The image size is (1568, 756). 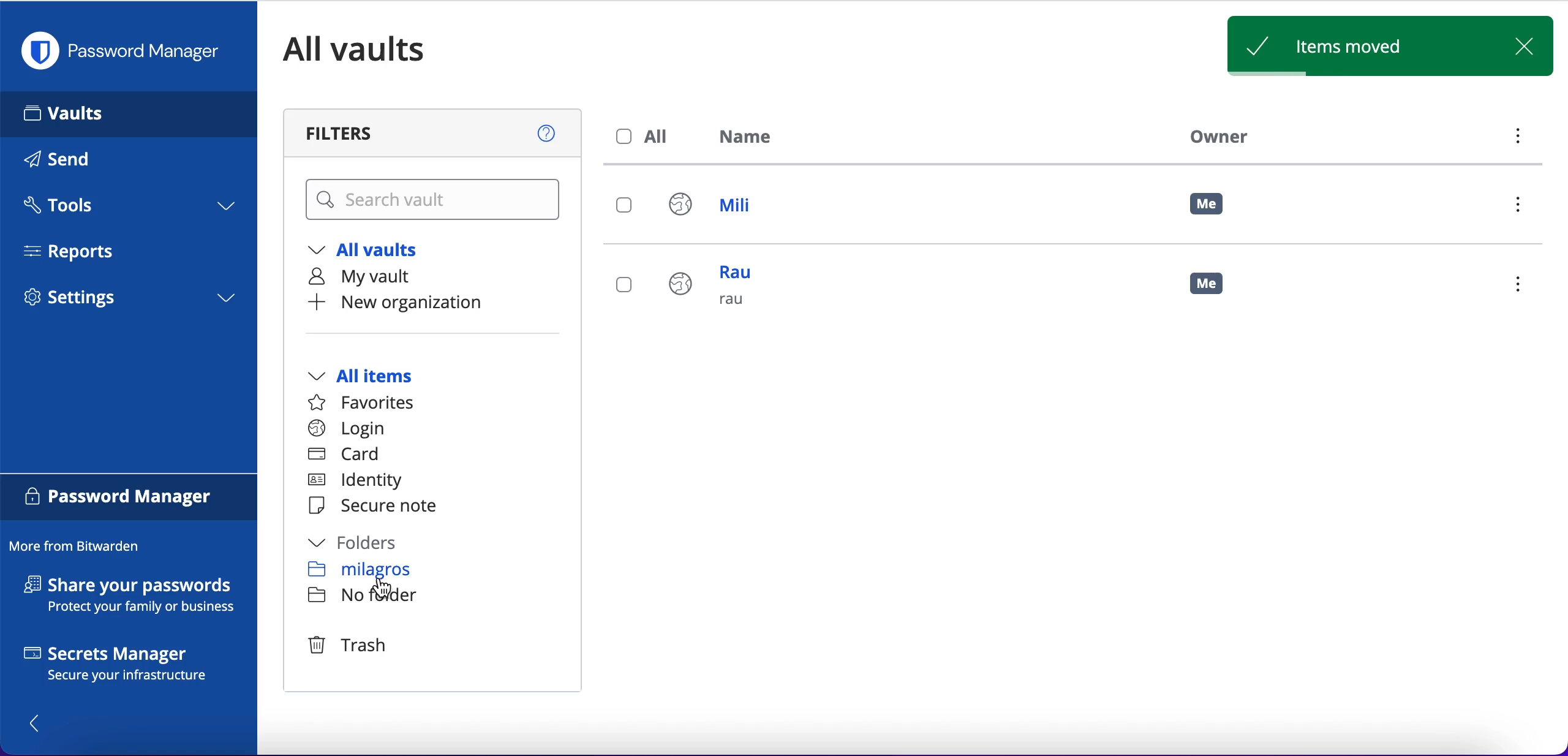 What do you see at coordinates (129, 301) in the screenshot?
I see `settings` at bounding box center [129, 301].